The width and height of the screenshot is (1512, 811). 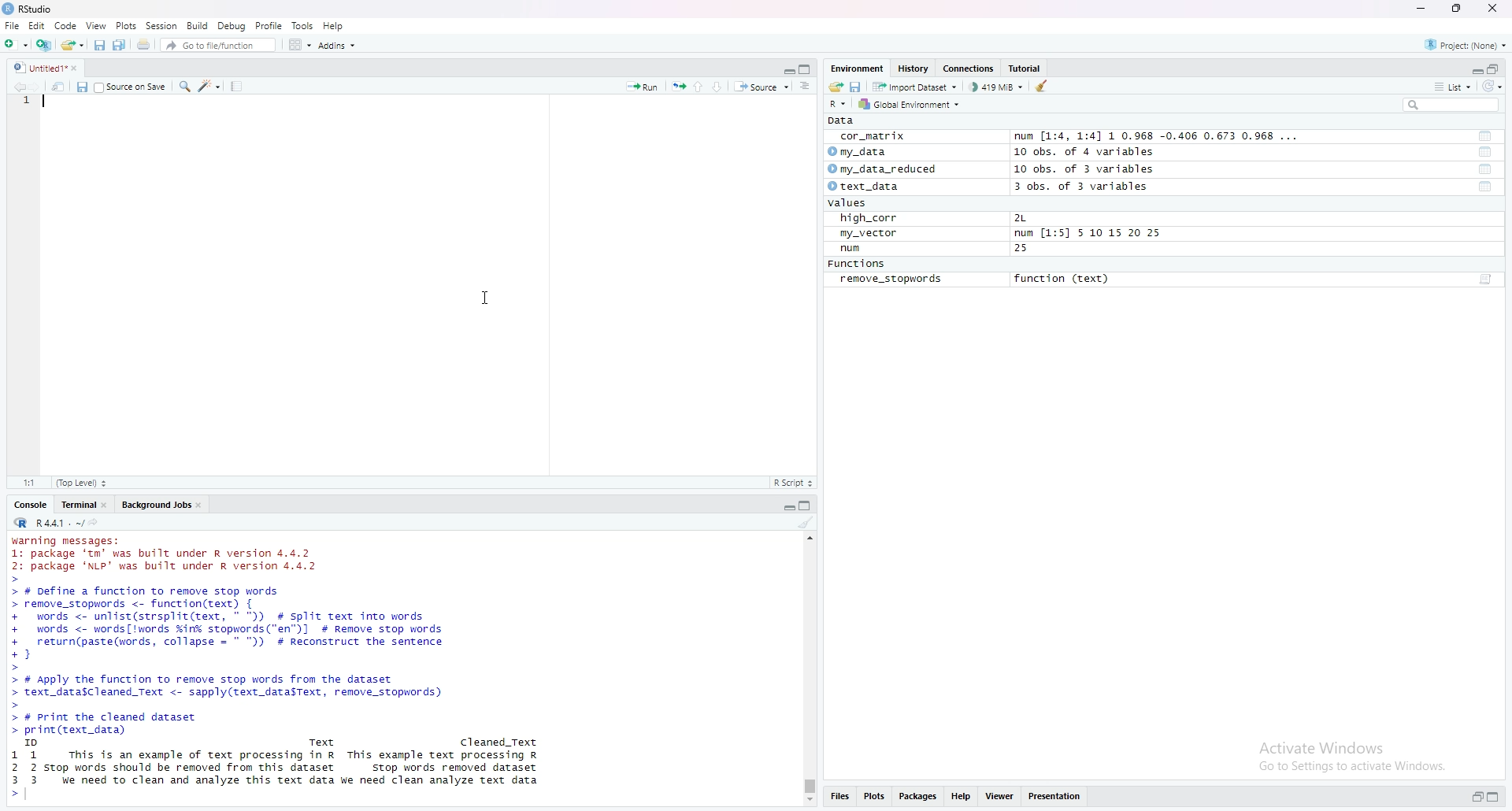 What do you see at coordinates (209, 45) in the screenshot?
I see `Go to file/function` at bounding box center [209, 45].